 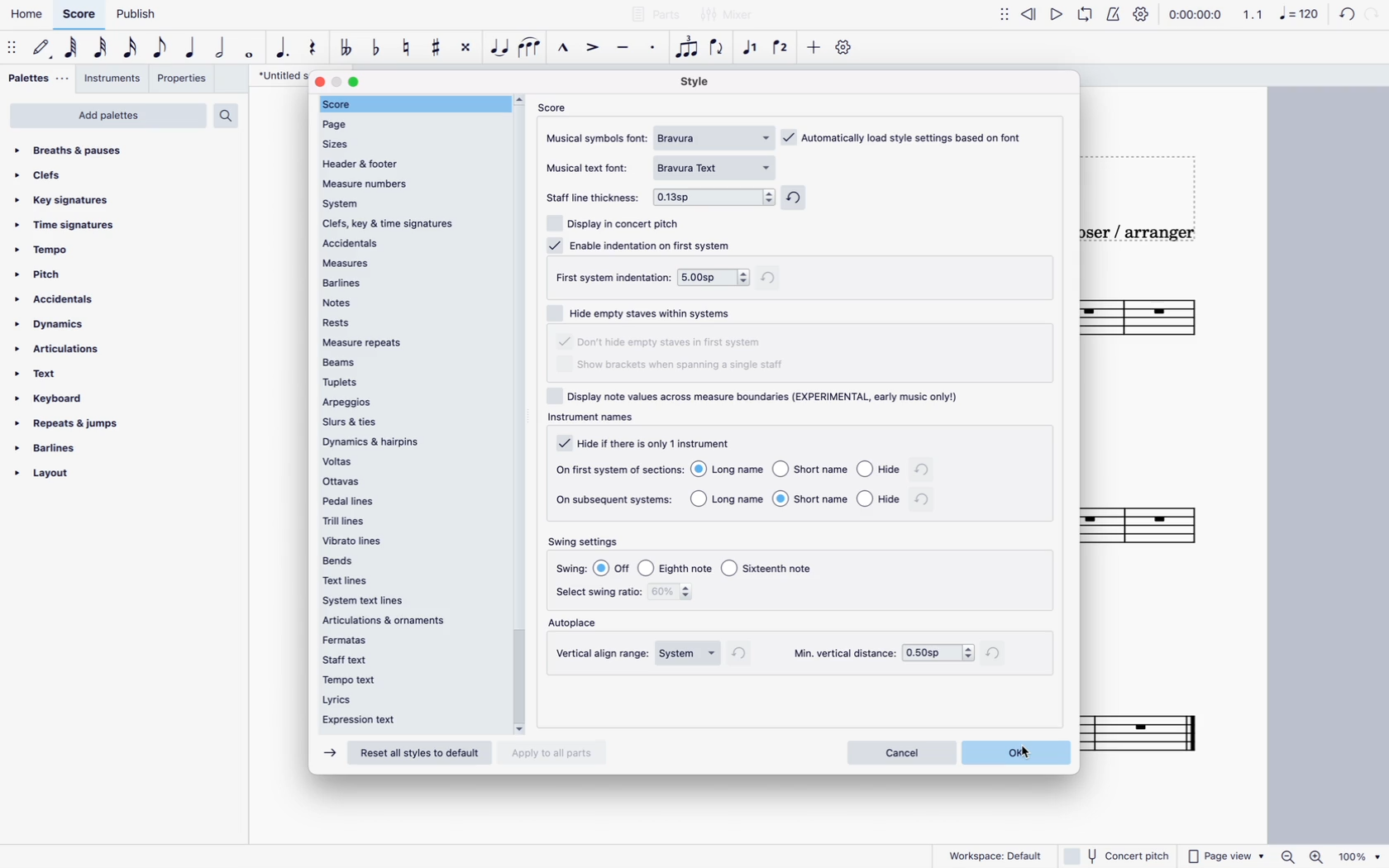 I want to click on Notify, so click(x=1115, y=13).